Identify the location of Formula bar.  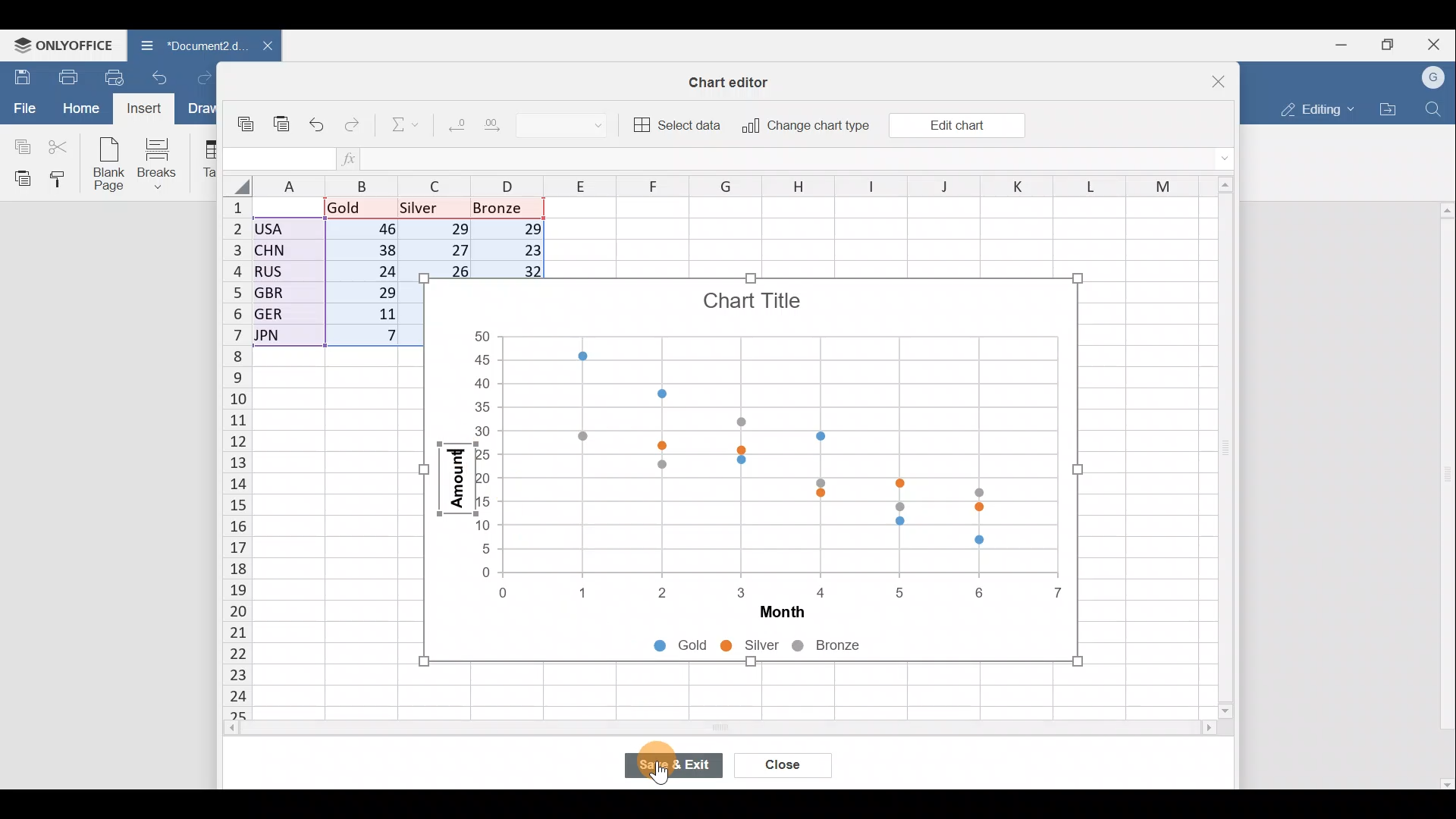
(791, 160).